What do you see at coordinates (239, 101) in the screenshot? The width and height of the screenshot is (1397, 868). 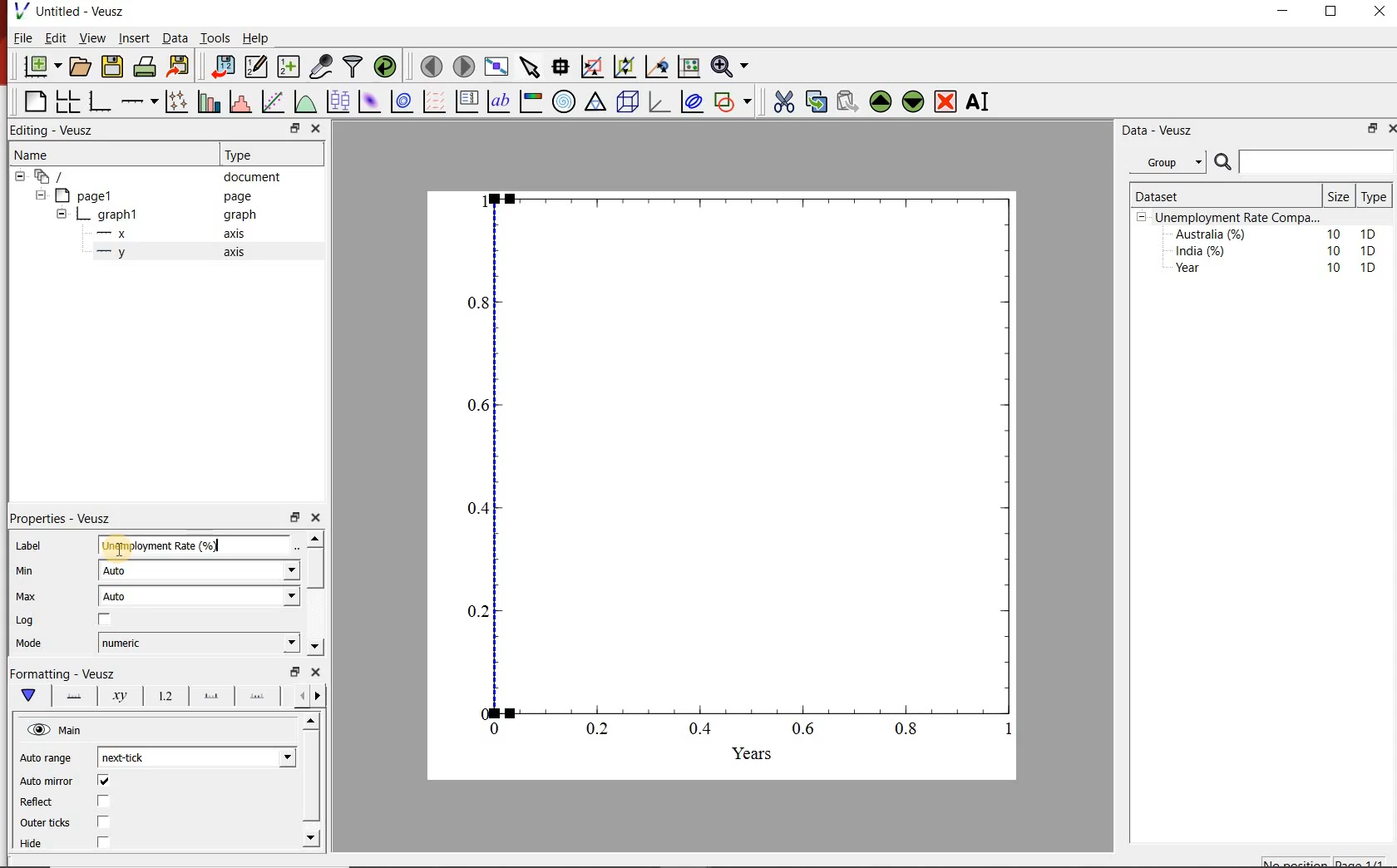 I see `histograms` at bounding box center [239, 101].